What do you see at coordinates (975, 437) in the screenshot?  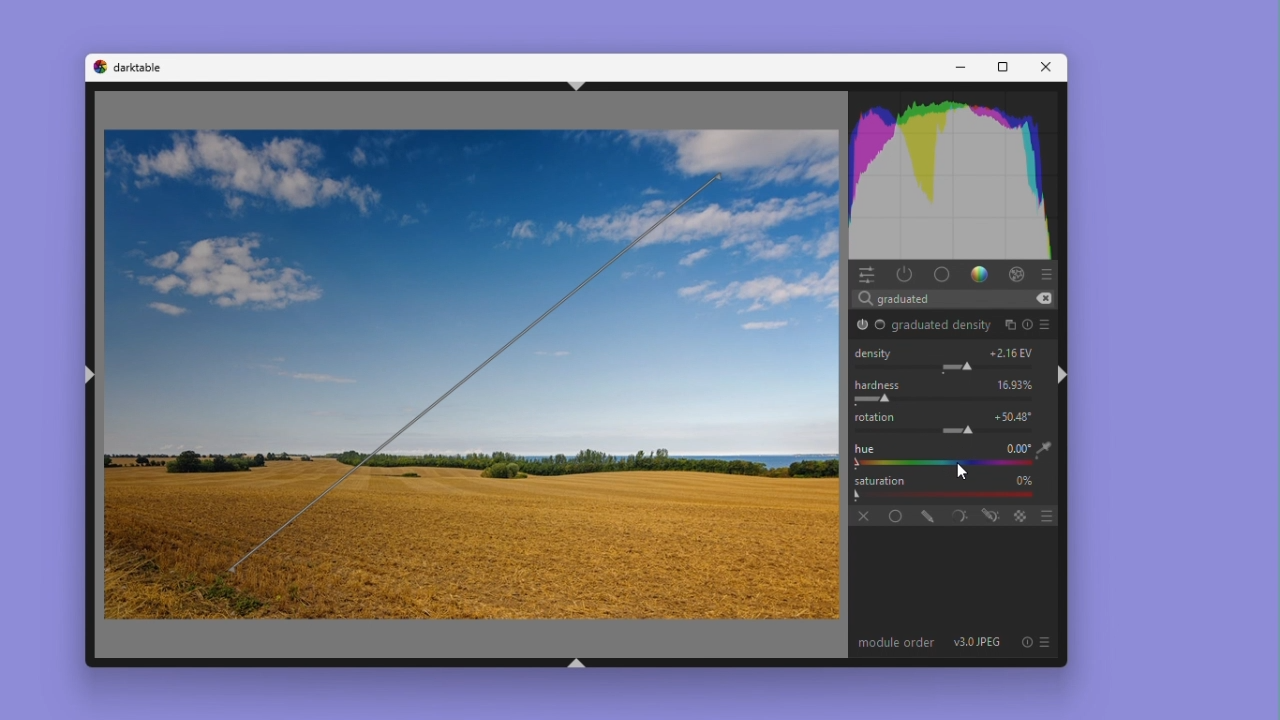 I see `Mouse cursor` at bounding box center [975, 437].